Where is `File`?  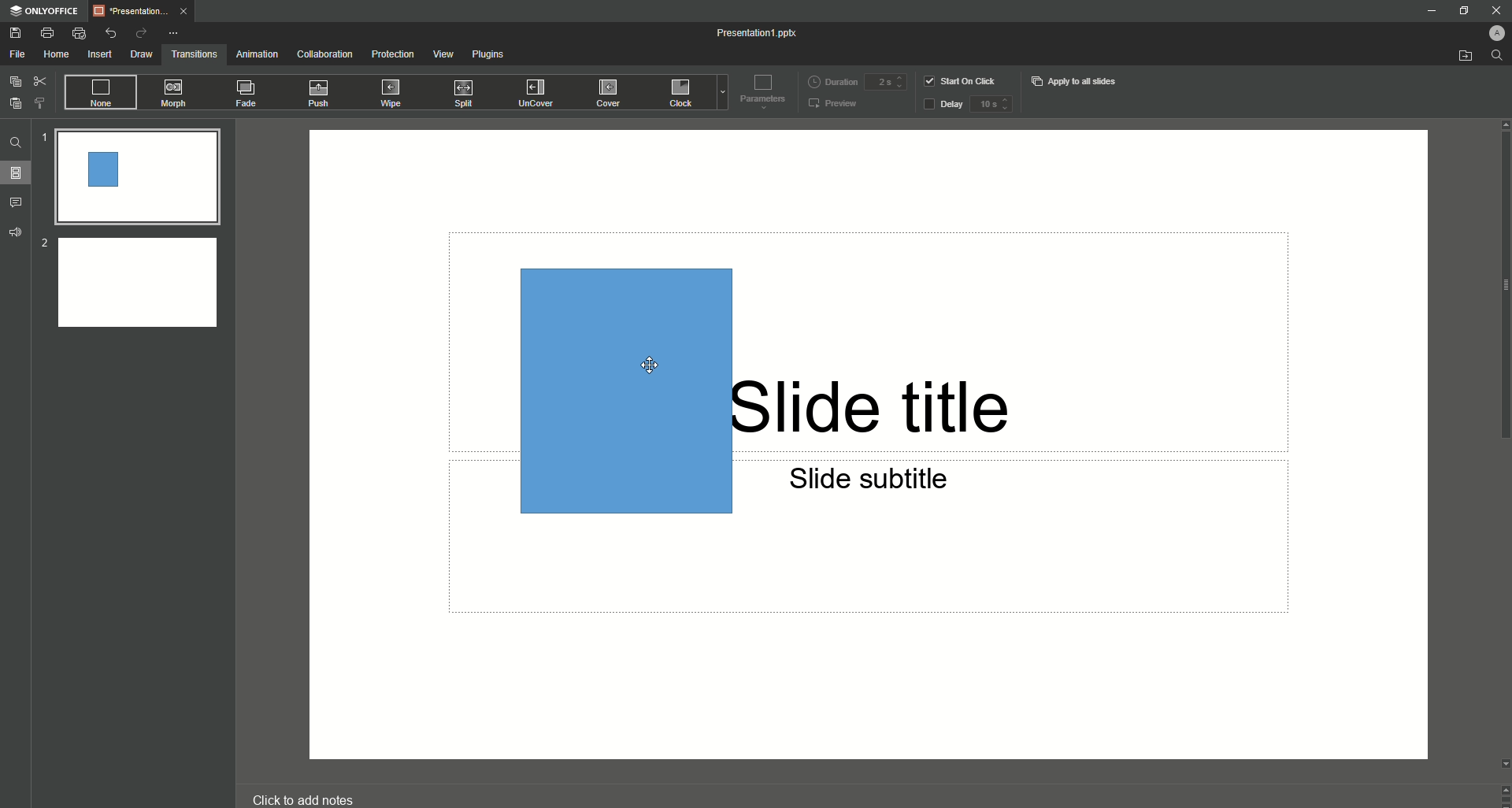 File is located at coordinates (17, 54).